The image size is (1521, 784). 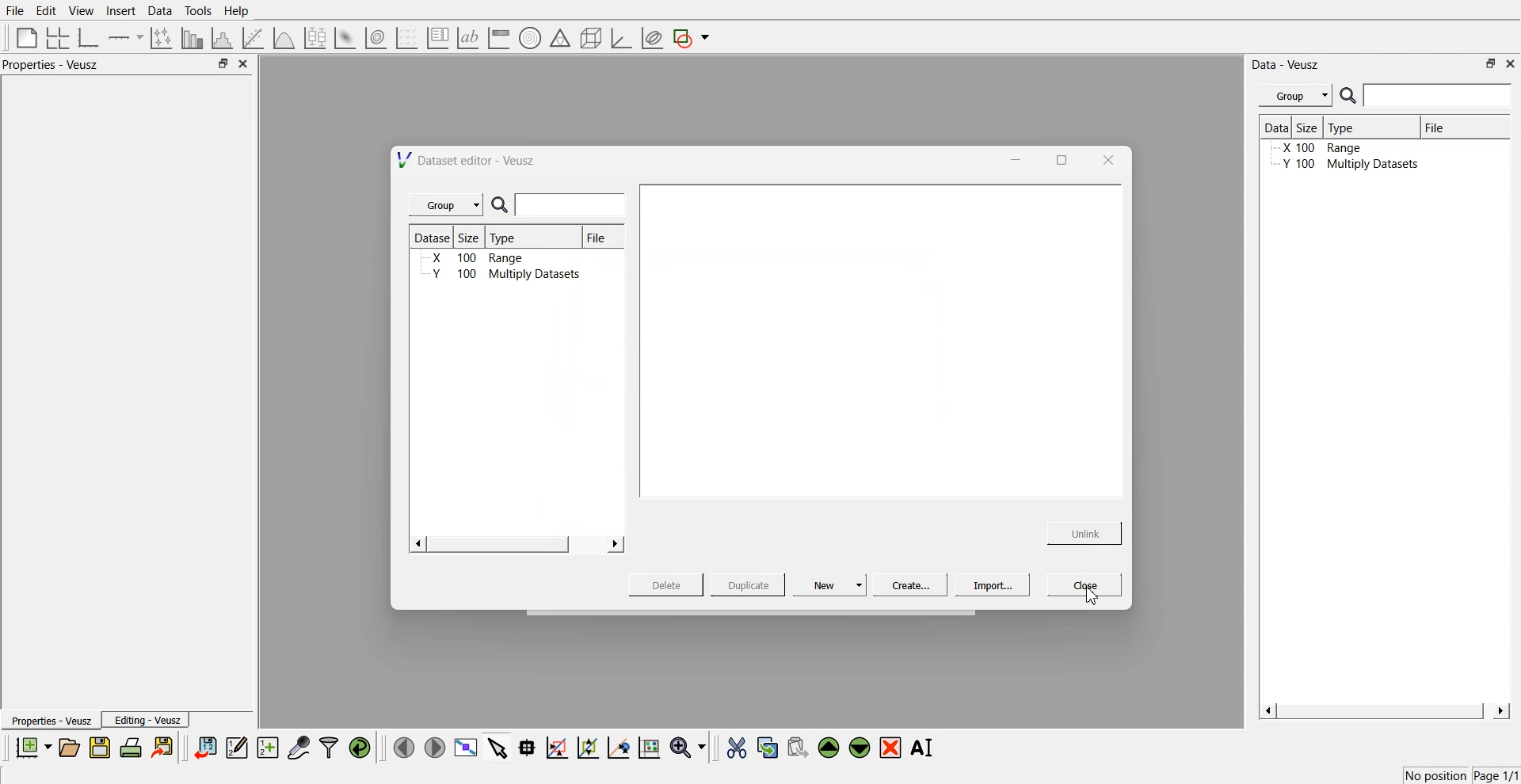 What do you see at coordinates (1287, 65) in the screenshot?
I see `Data - Veusz` at bounding box center [1287, 65].